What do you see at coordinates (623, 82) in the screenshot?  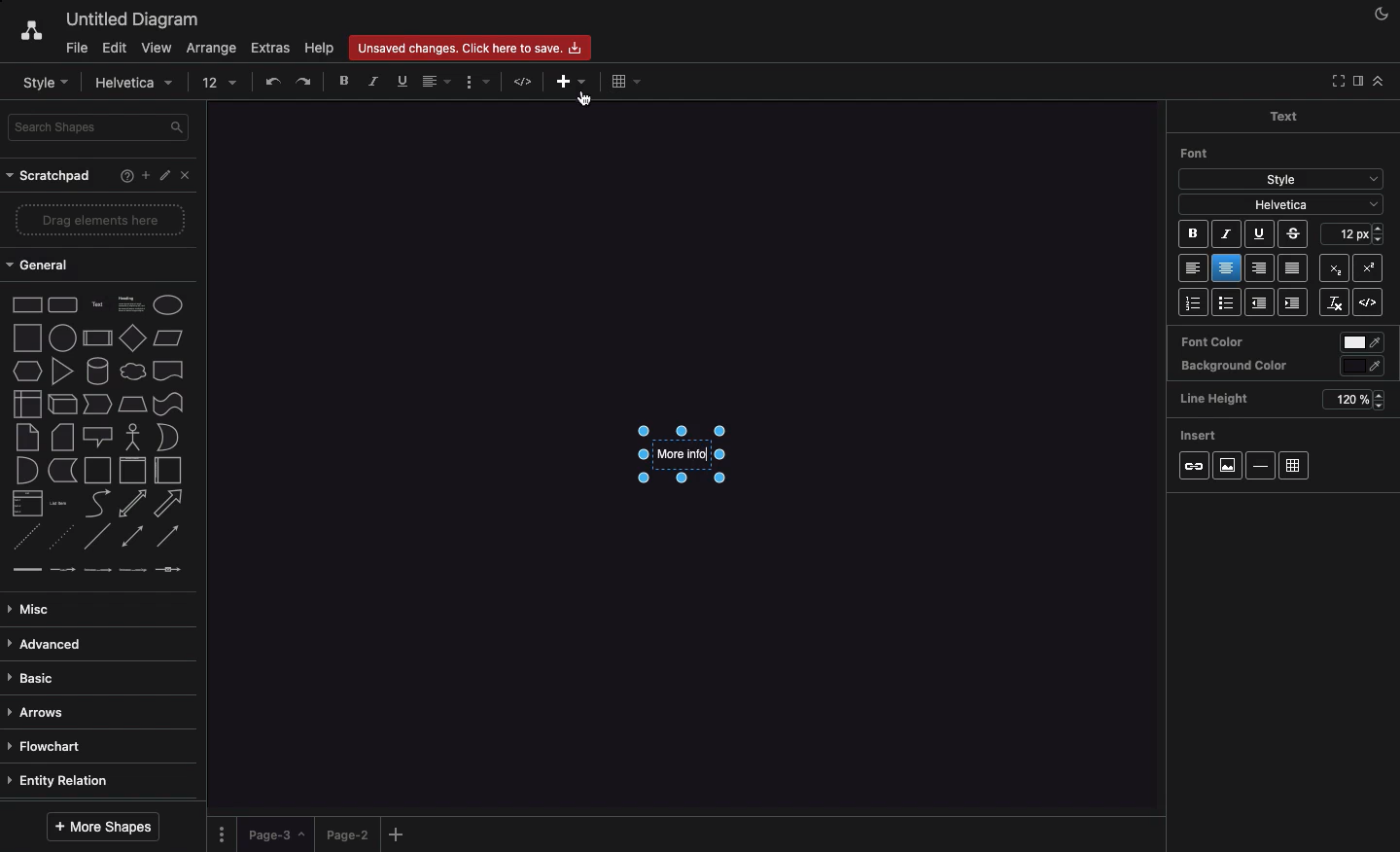 I see `Table` at bounding box center [623, 82].